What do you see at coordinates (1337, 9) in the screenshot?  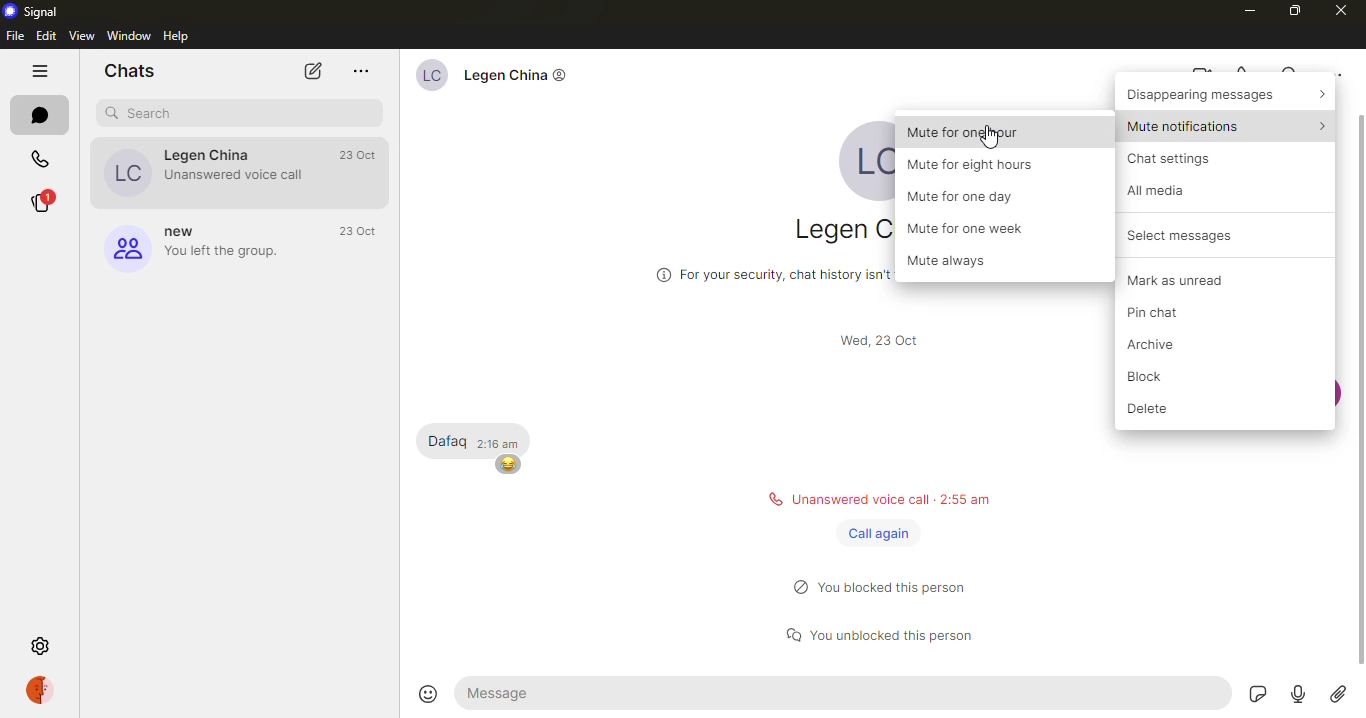 I see `close` at bounding box center [1337, 9].